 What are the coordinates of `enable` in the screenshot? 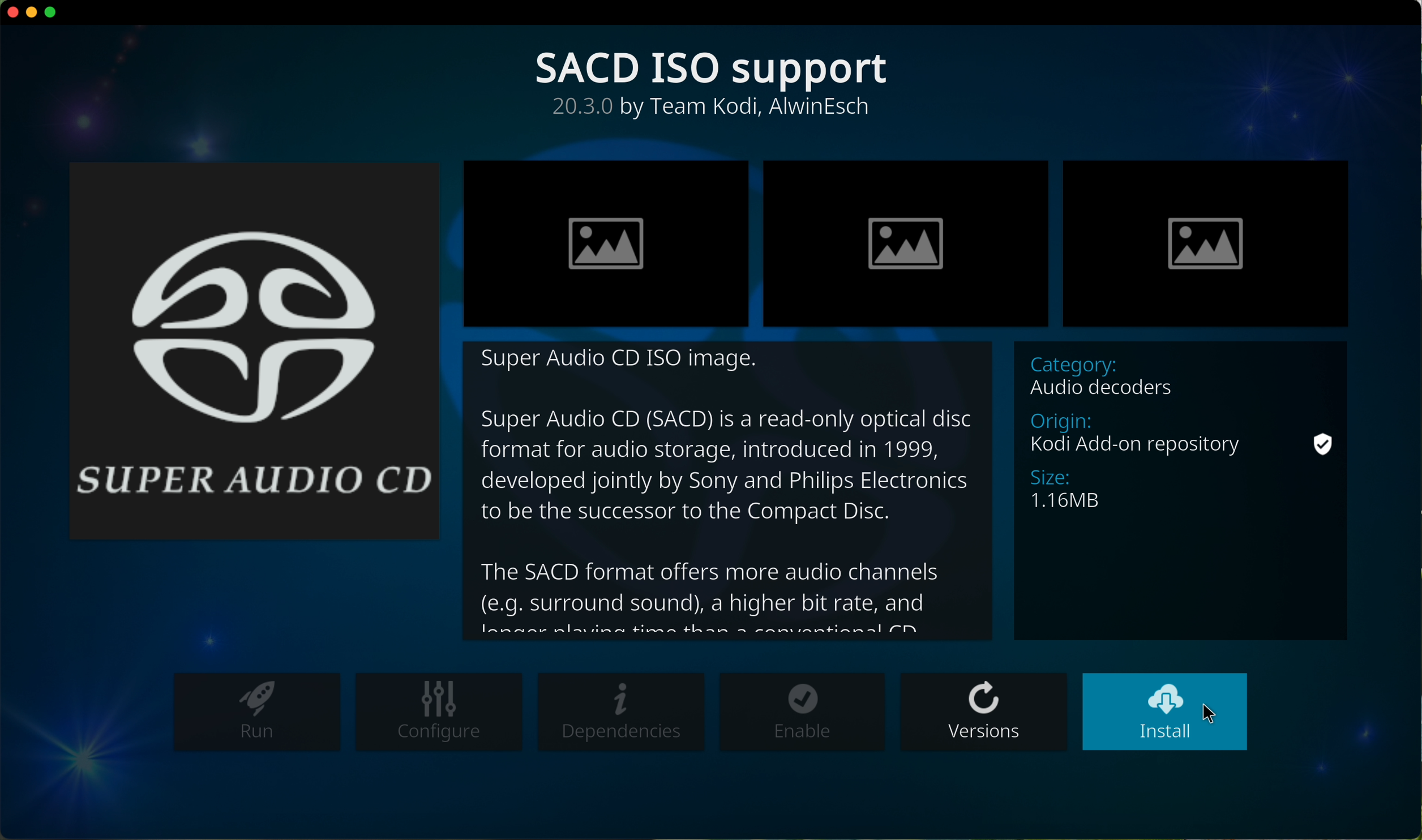 It's located at (802, 712).